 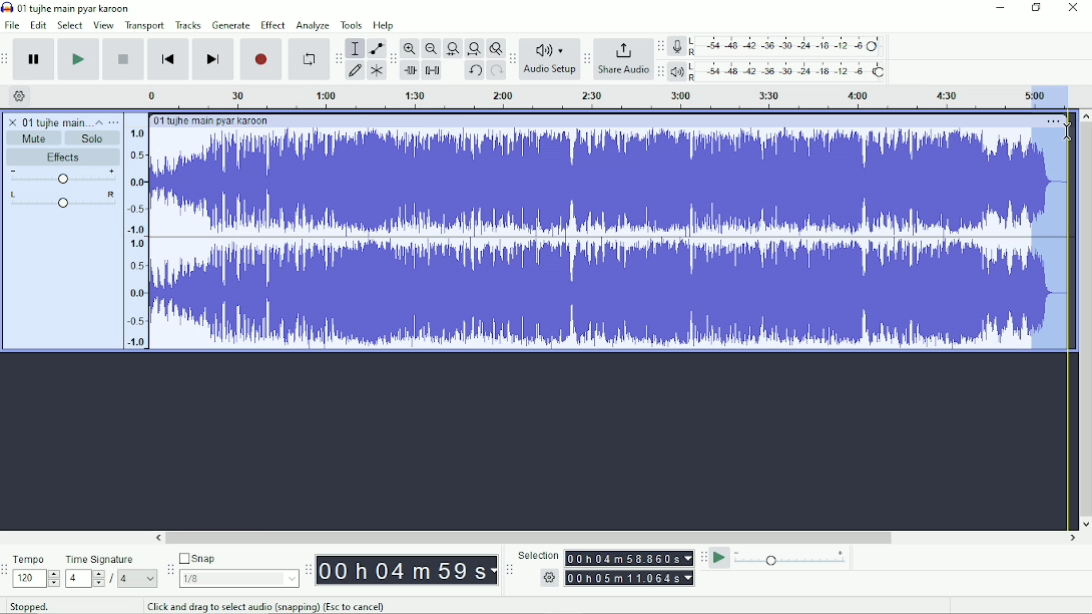 I want to click on Audacity tools toolbar, so click(x=338, y=58).